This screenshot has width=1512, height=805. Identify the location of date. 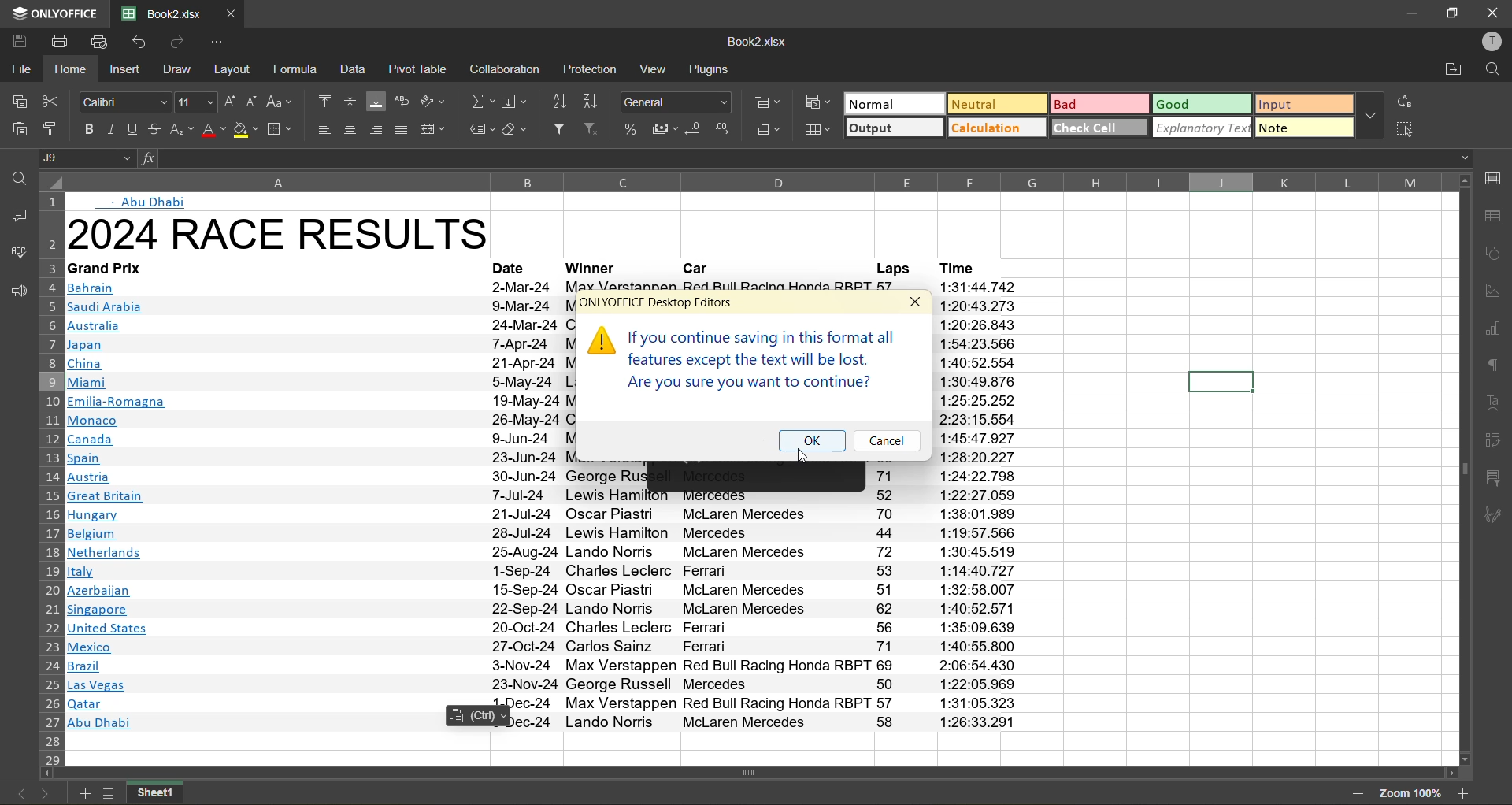
(509, 267).